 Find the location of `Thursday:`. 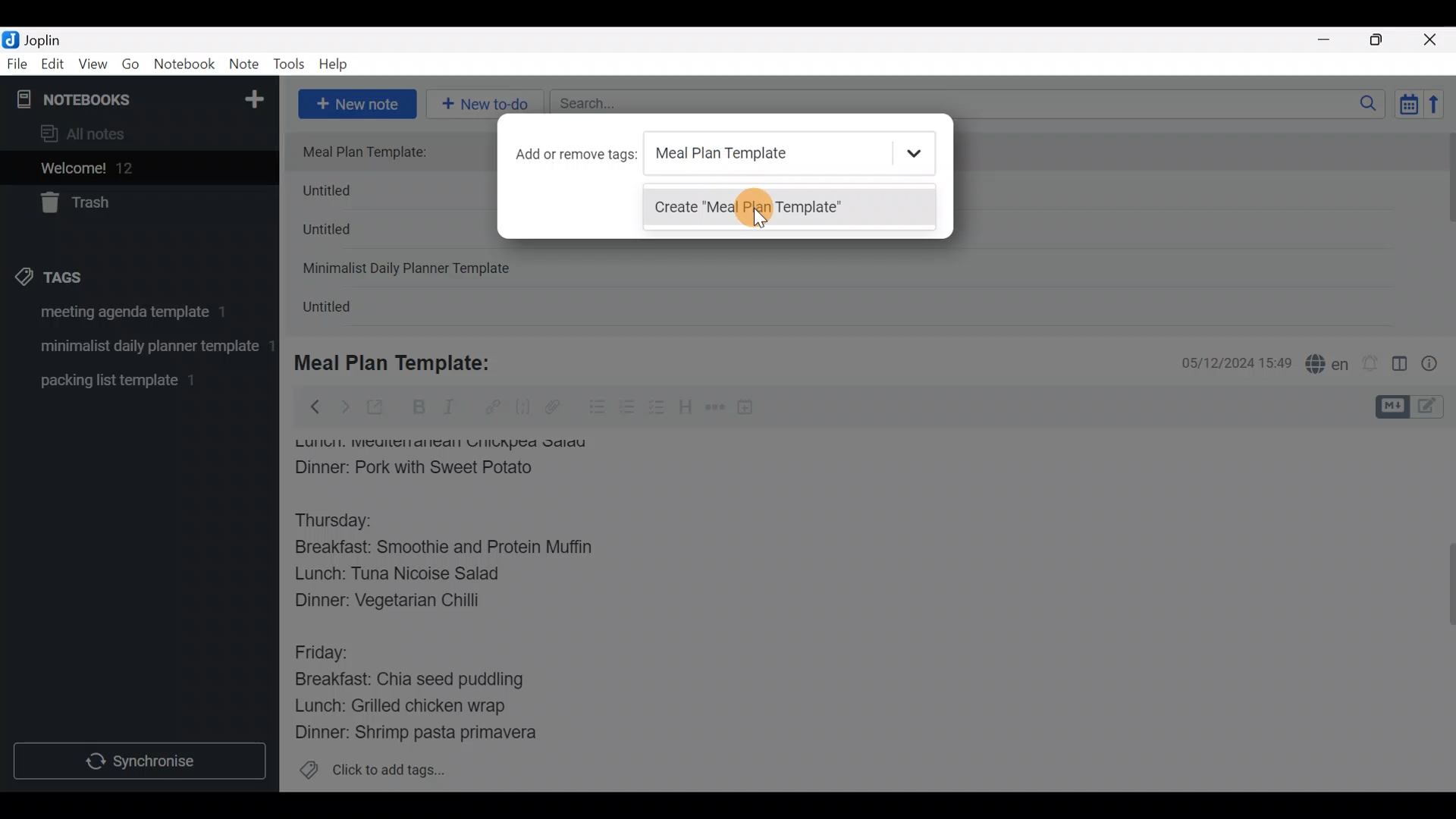

Thursday: is located at coordinates (344, 521).